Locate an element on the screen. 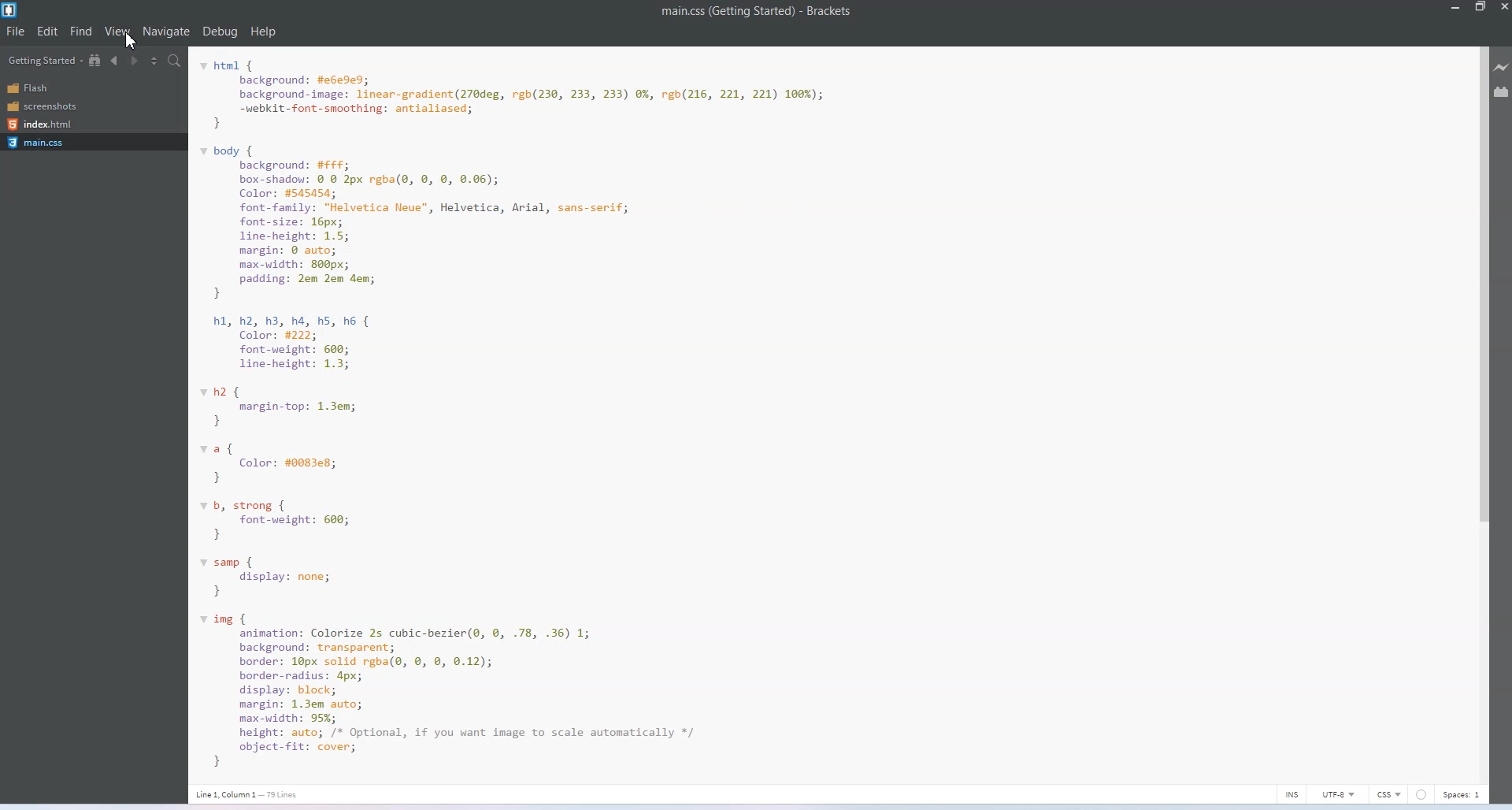  Navigate Backwards is located at coordinates (116, 61).